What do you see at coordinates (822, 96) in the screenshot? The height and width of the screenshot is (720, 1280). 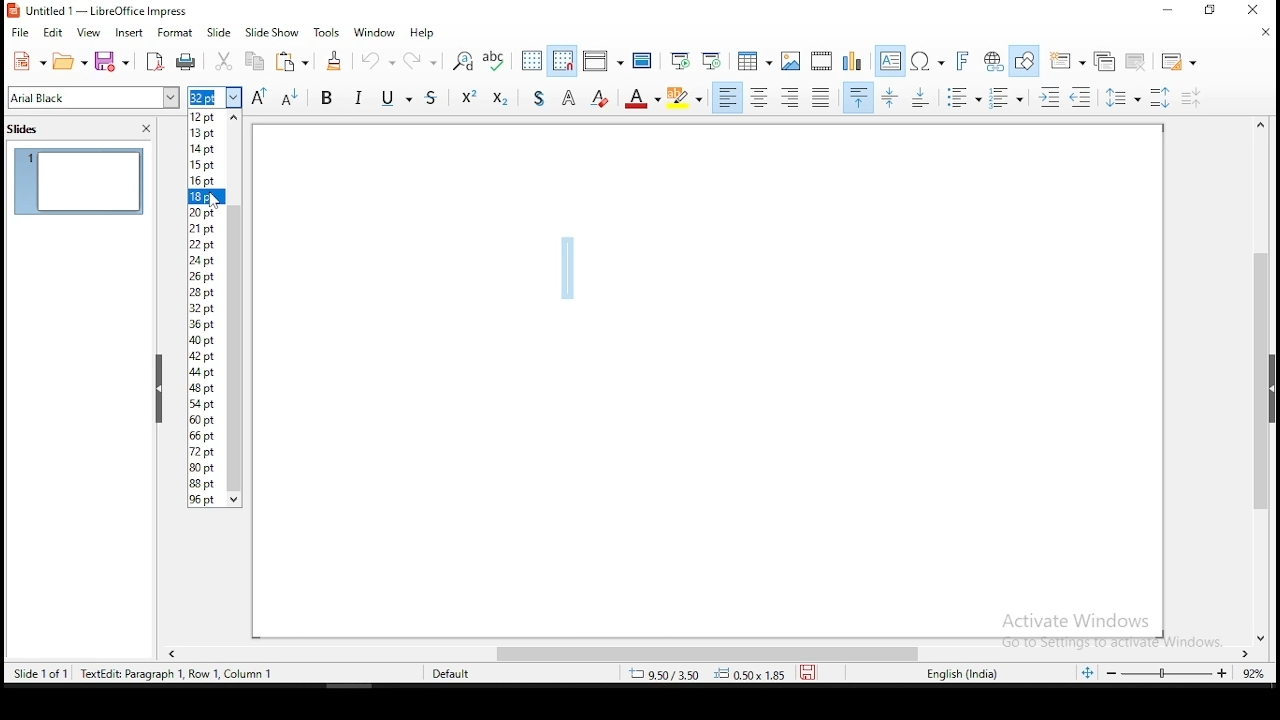 I see `Justified` at bounding box center [822, 96].